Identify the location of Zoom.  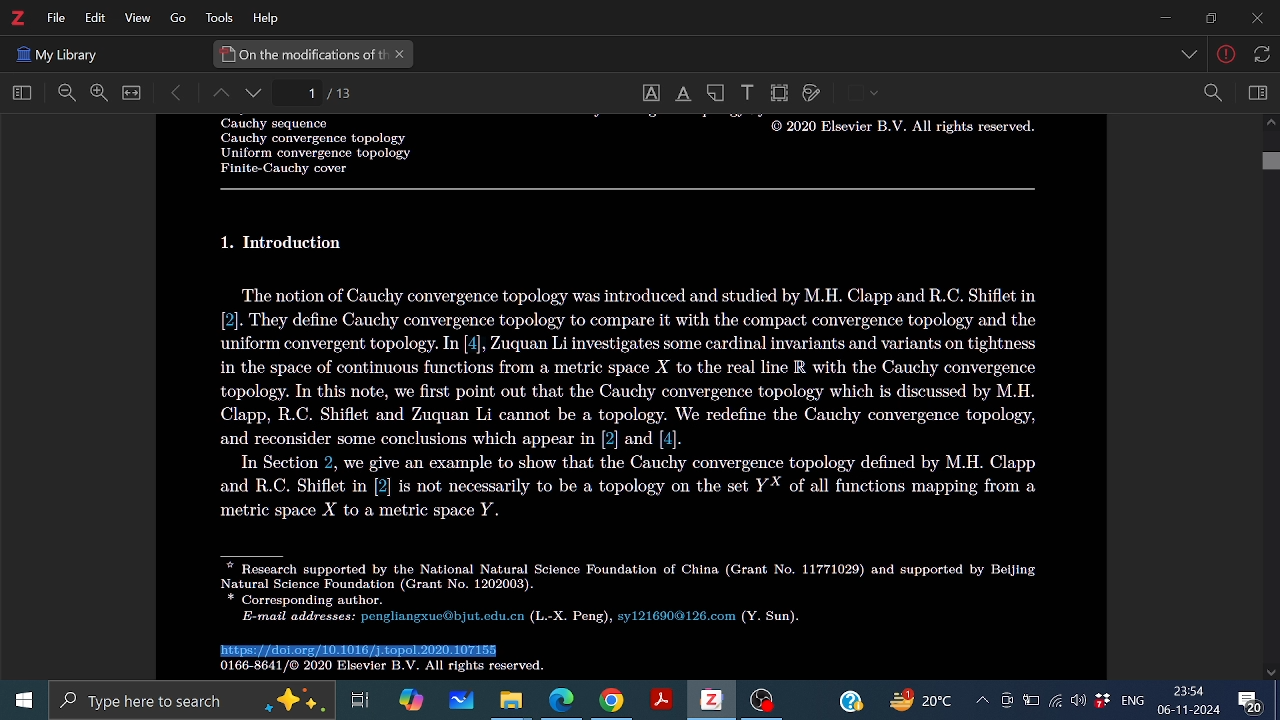
(1212, 93).